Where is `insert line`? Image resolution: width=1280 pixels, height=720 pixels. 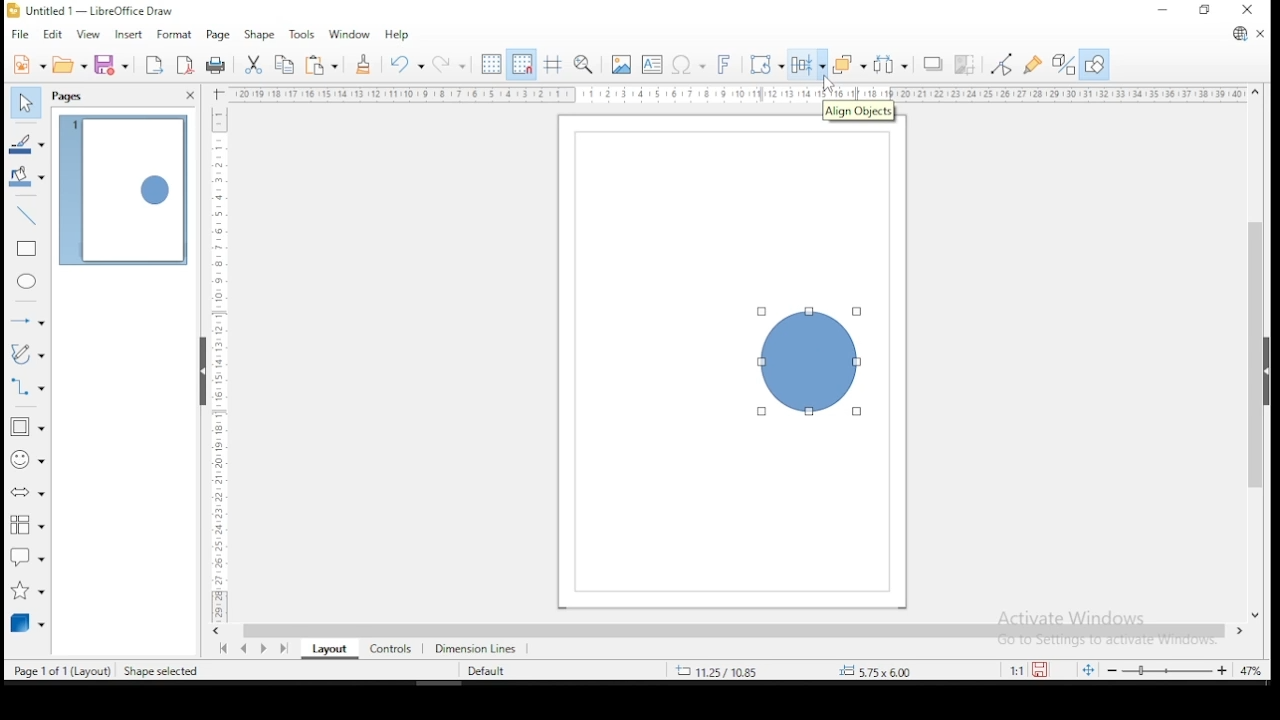 insert line is located at coordinates (27, 213).